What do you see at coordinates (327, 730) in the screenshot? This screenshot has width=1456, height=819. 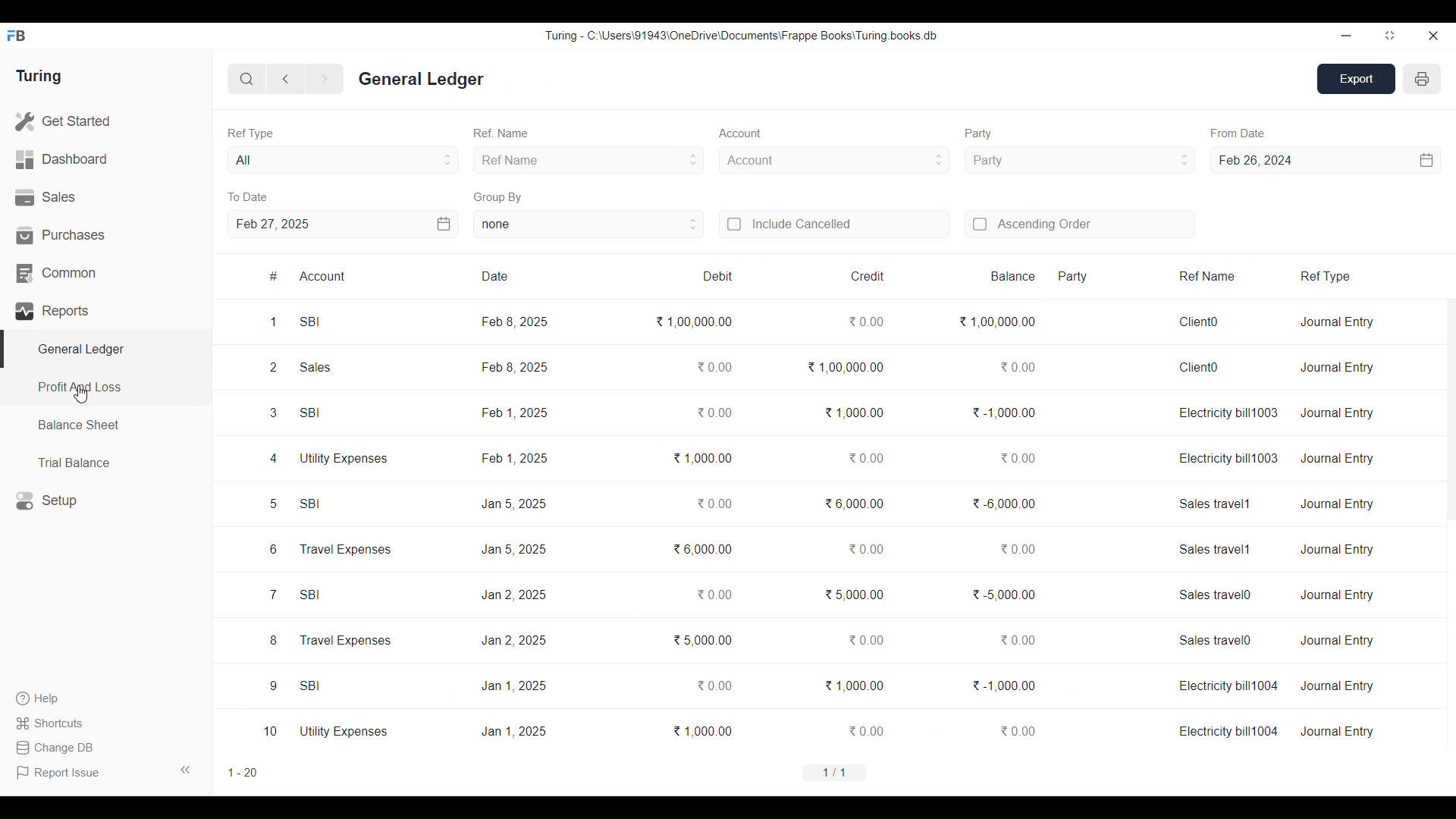 I see `10 Utility Expenses` at bounding box center [327, 730].